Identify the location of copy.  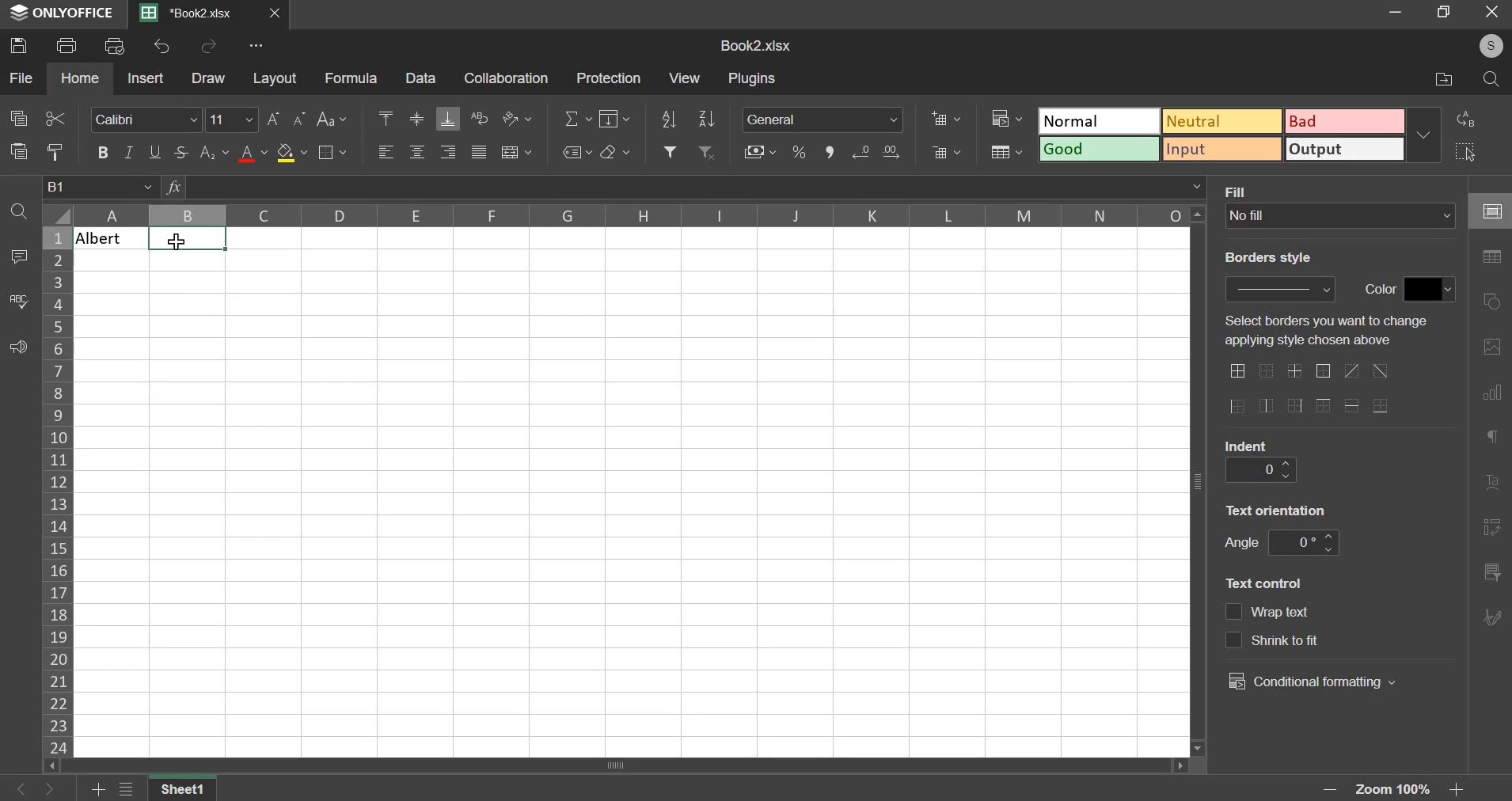
(19, 118).